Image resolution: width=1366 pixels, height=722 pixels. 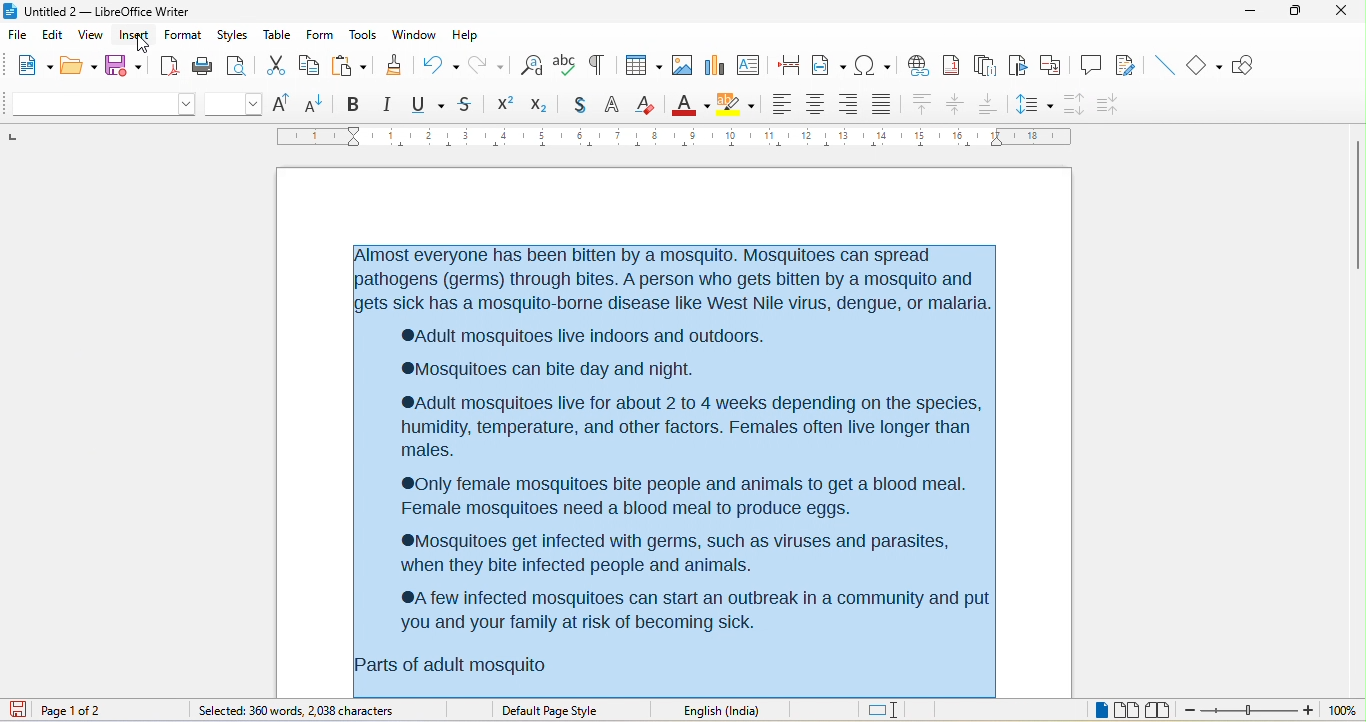 What do you see at coordinates (829, 65) in the screenshot?
I see `field` at bounding box center [829, 65].